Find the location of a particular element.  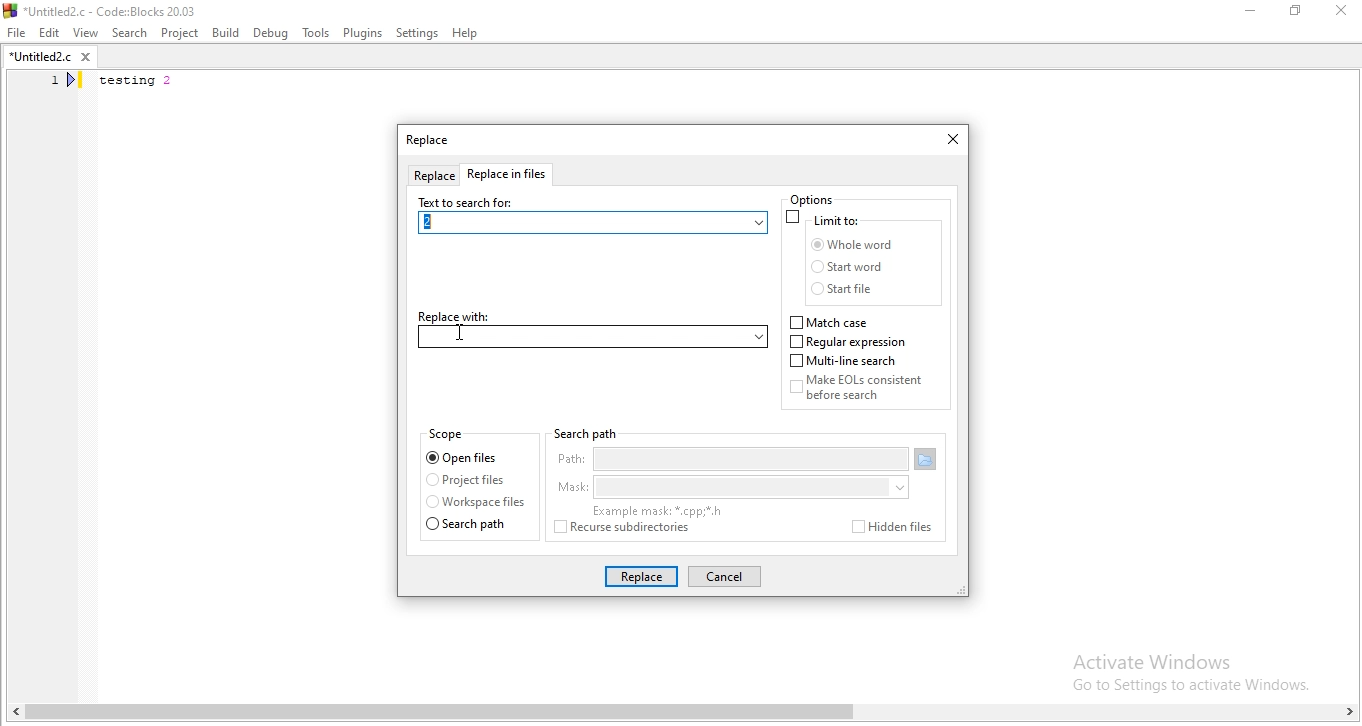

Help is located at coordinates (467, 33).